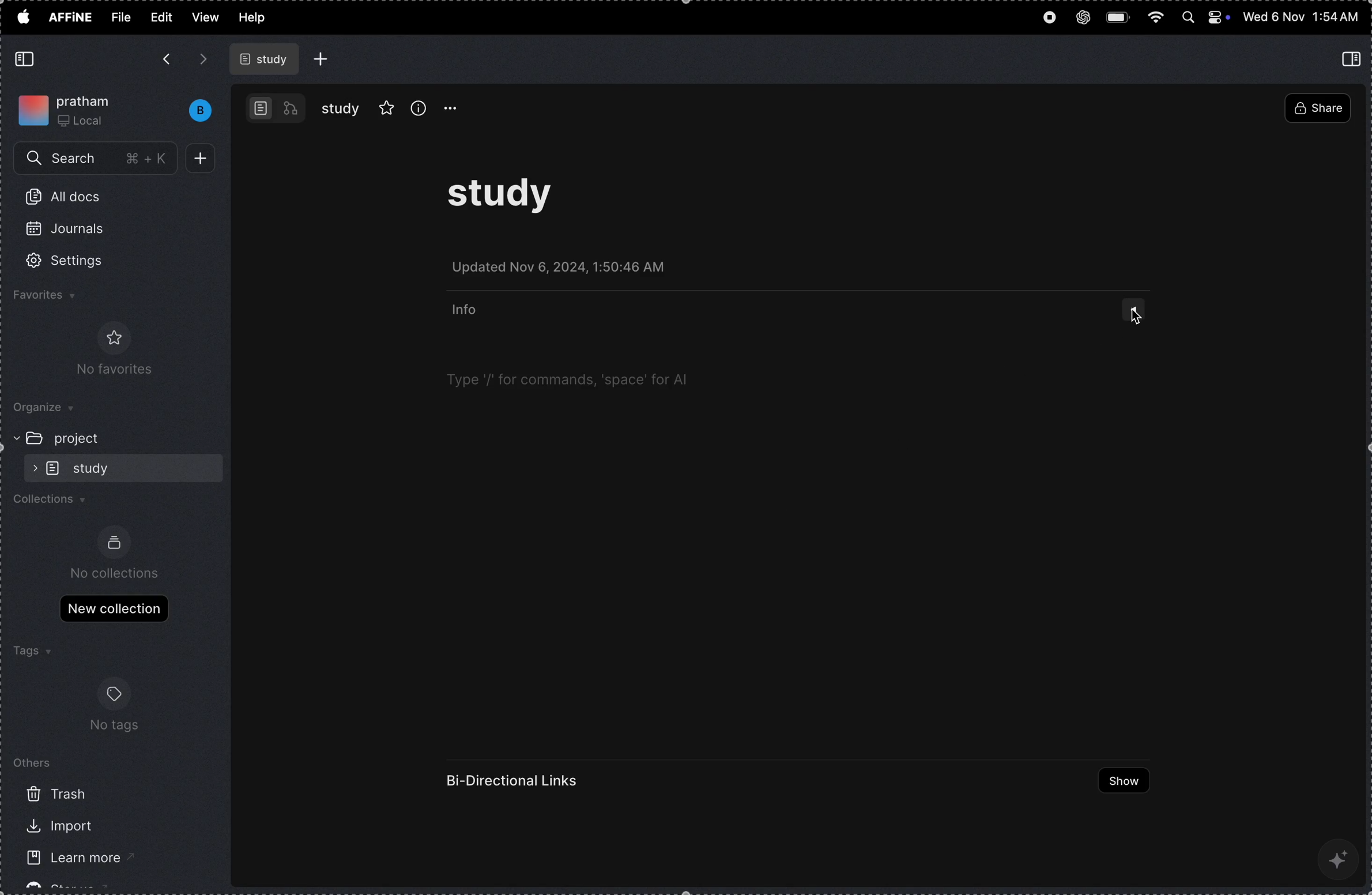 The image size is (1372, 895). I want to click on expand/collapse, so click(31, 468).